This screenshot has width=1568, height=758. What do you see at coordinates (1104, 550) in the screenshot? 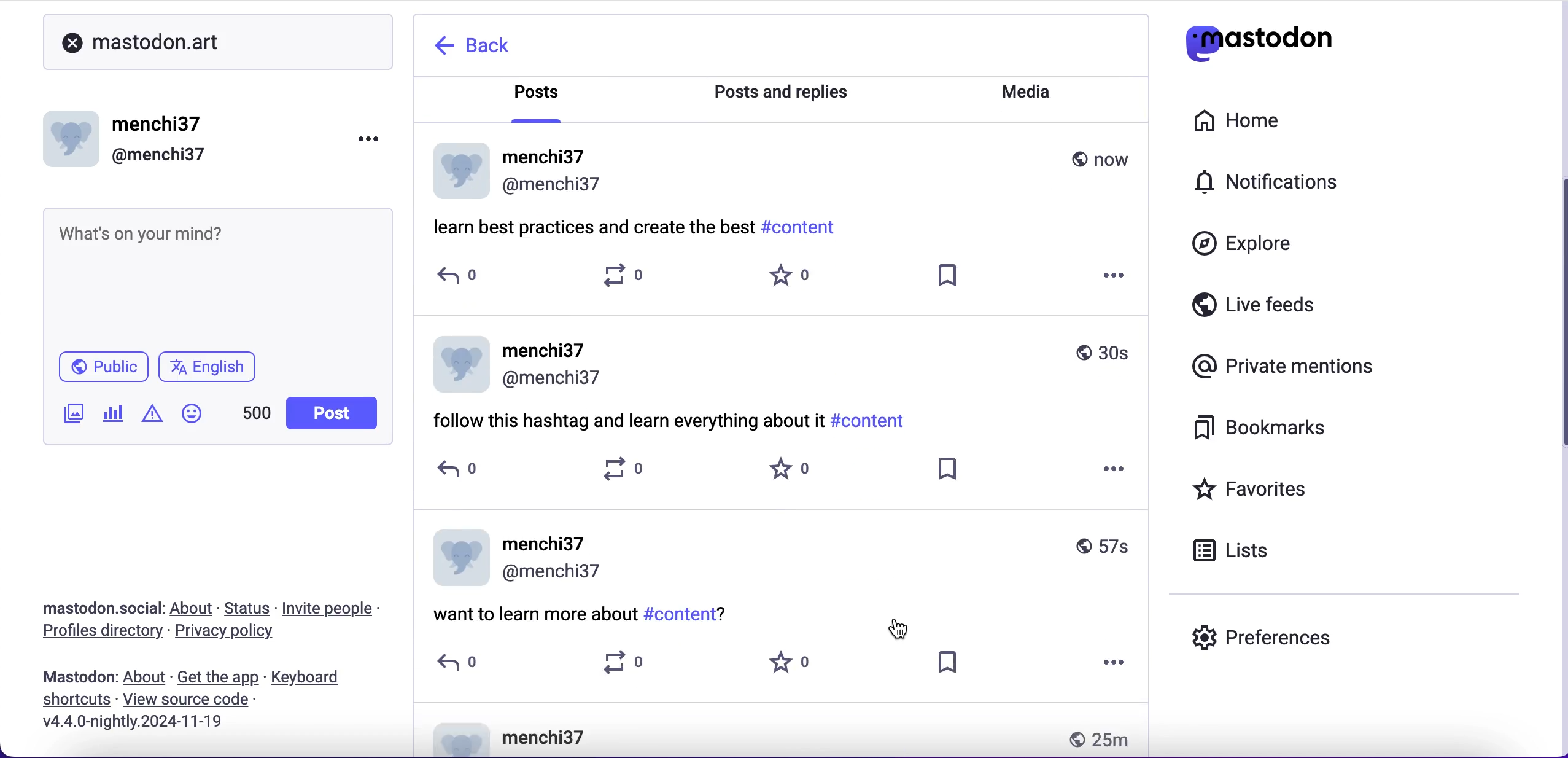
I see `57s ago` at bounding box center [1104, 550].